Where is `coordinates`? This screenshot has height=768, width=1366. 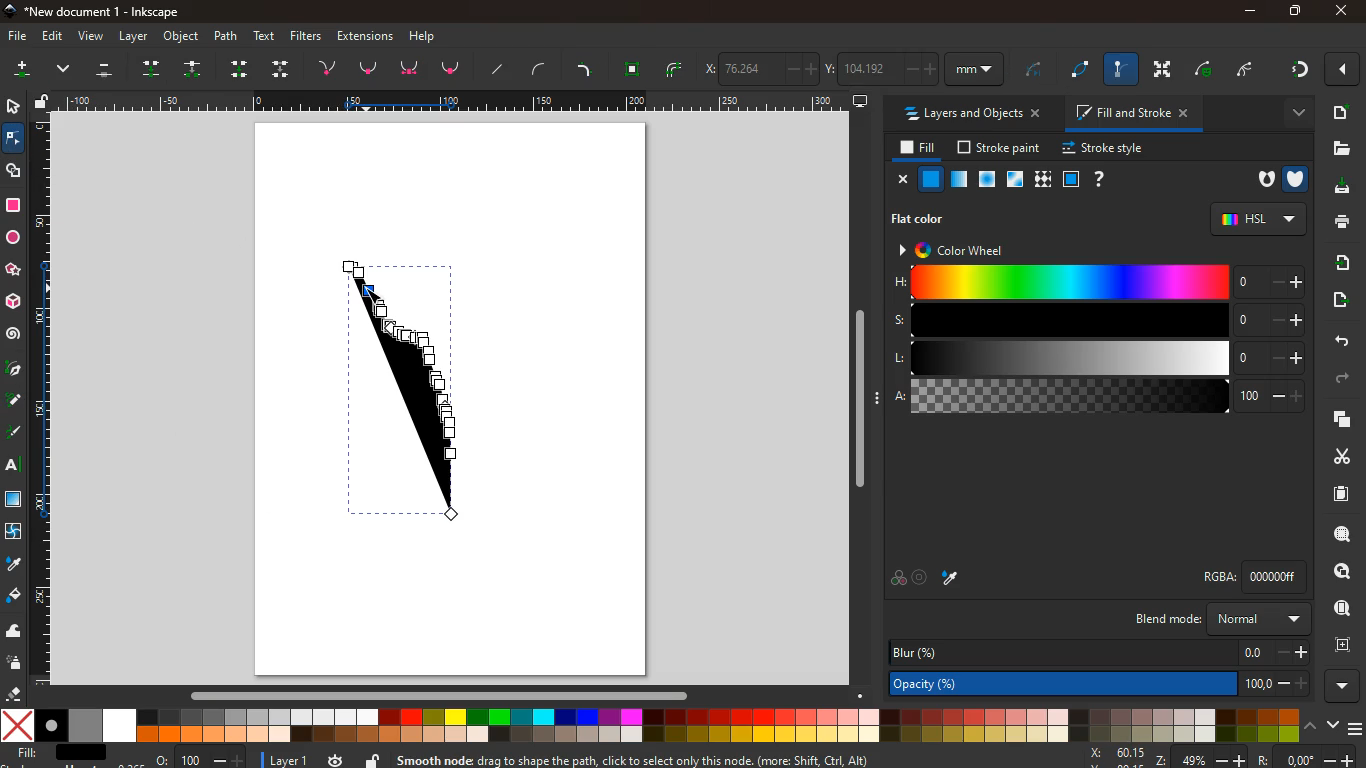 coordinates is located at coordinates (1218, 757).